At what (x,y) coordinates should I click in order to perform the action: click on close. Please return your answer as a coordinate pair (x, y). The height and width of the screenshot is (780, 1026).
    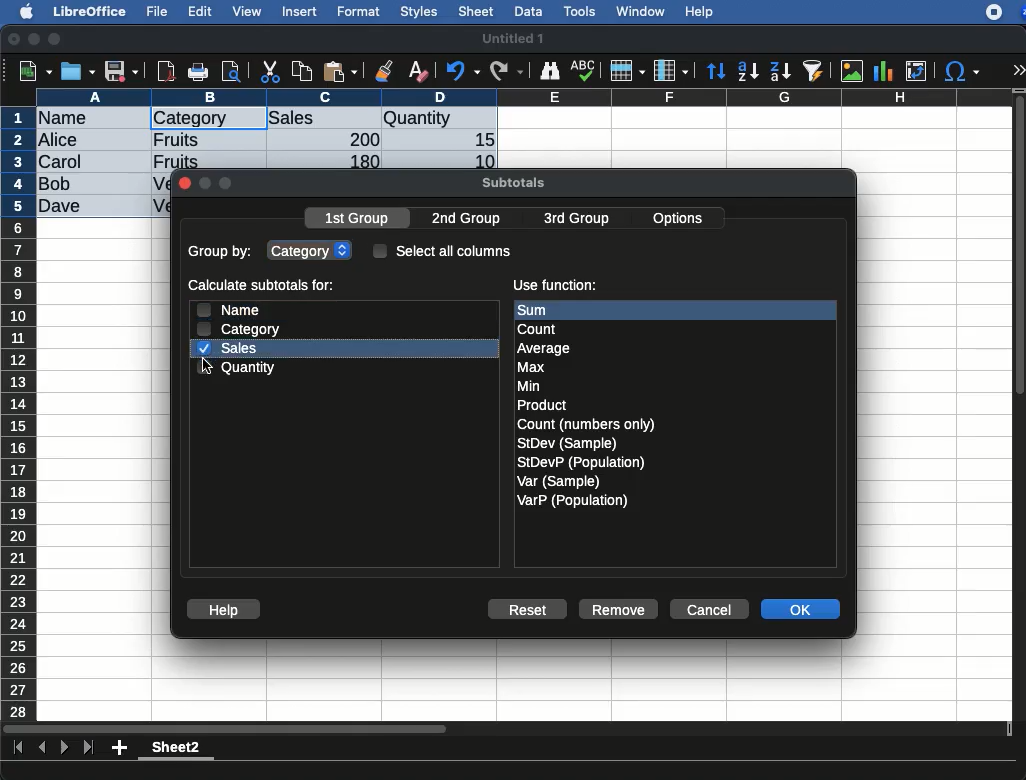
    Looking at the image, I should click on (184, 185).